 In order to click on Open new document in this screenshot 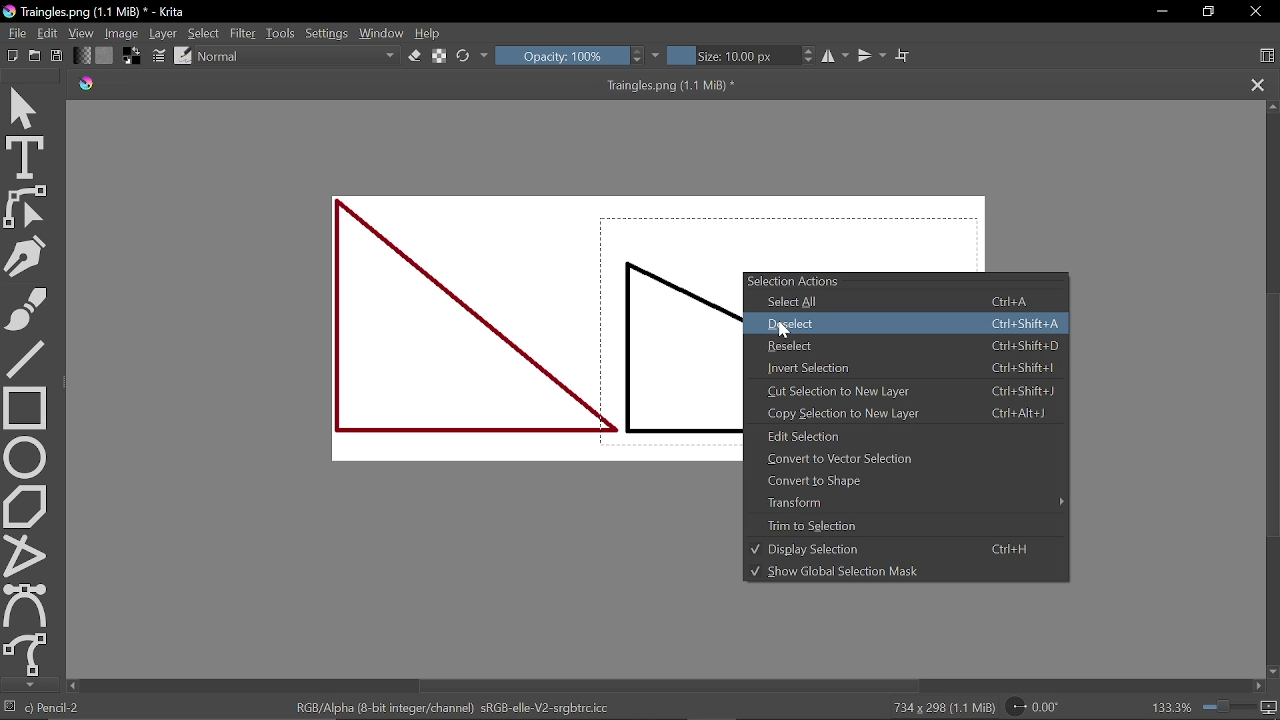, I will do `click(35, 56)`.